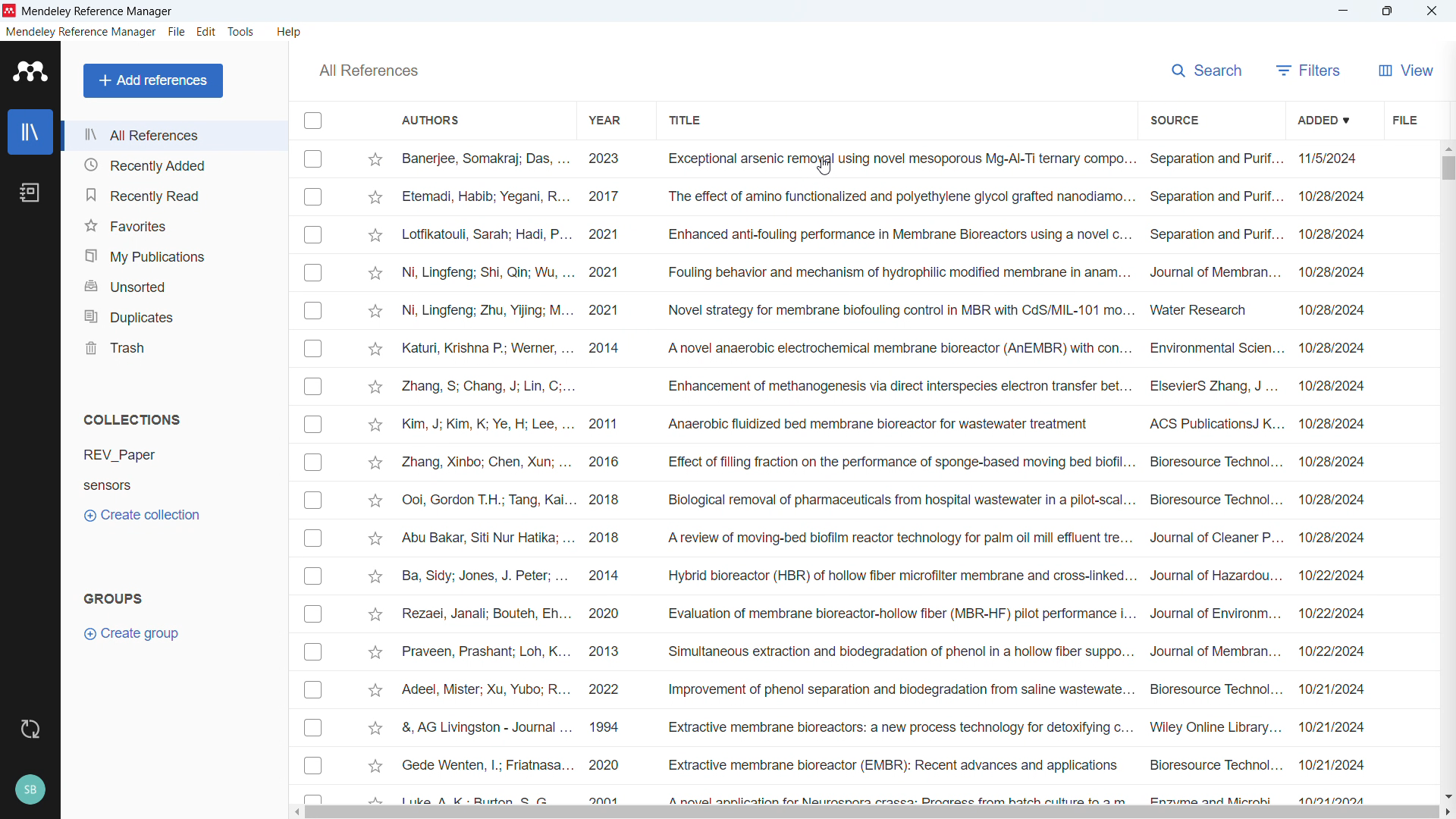  Describe the element at coordinates (613, 538) in the screenshot. I see `2018` at that location.